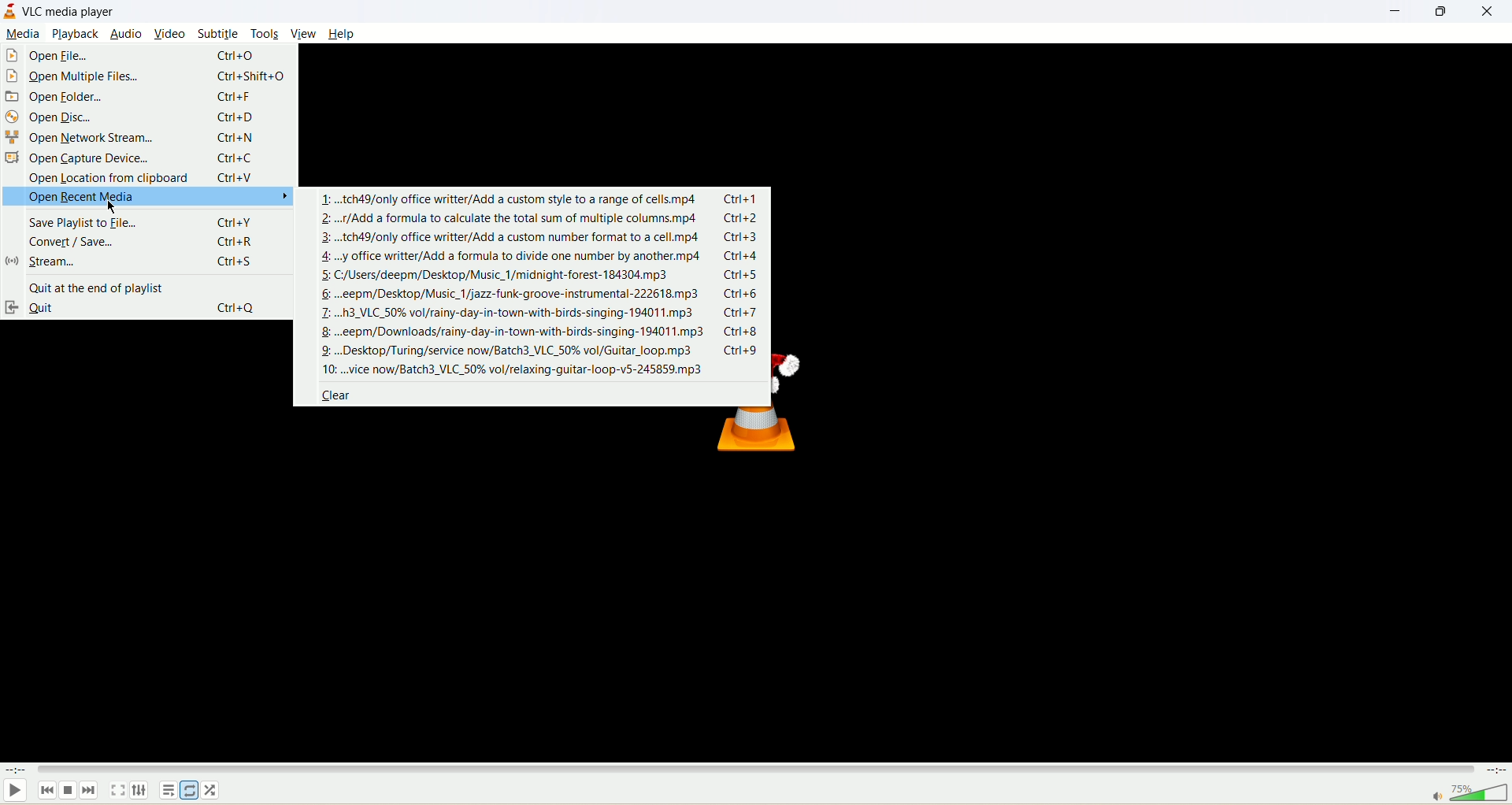  I want to click on view, so click(303, 32).